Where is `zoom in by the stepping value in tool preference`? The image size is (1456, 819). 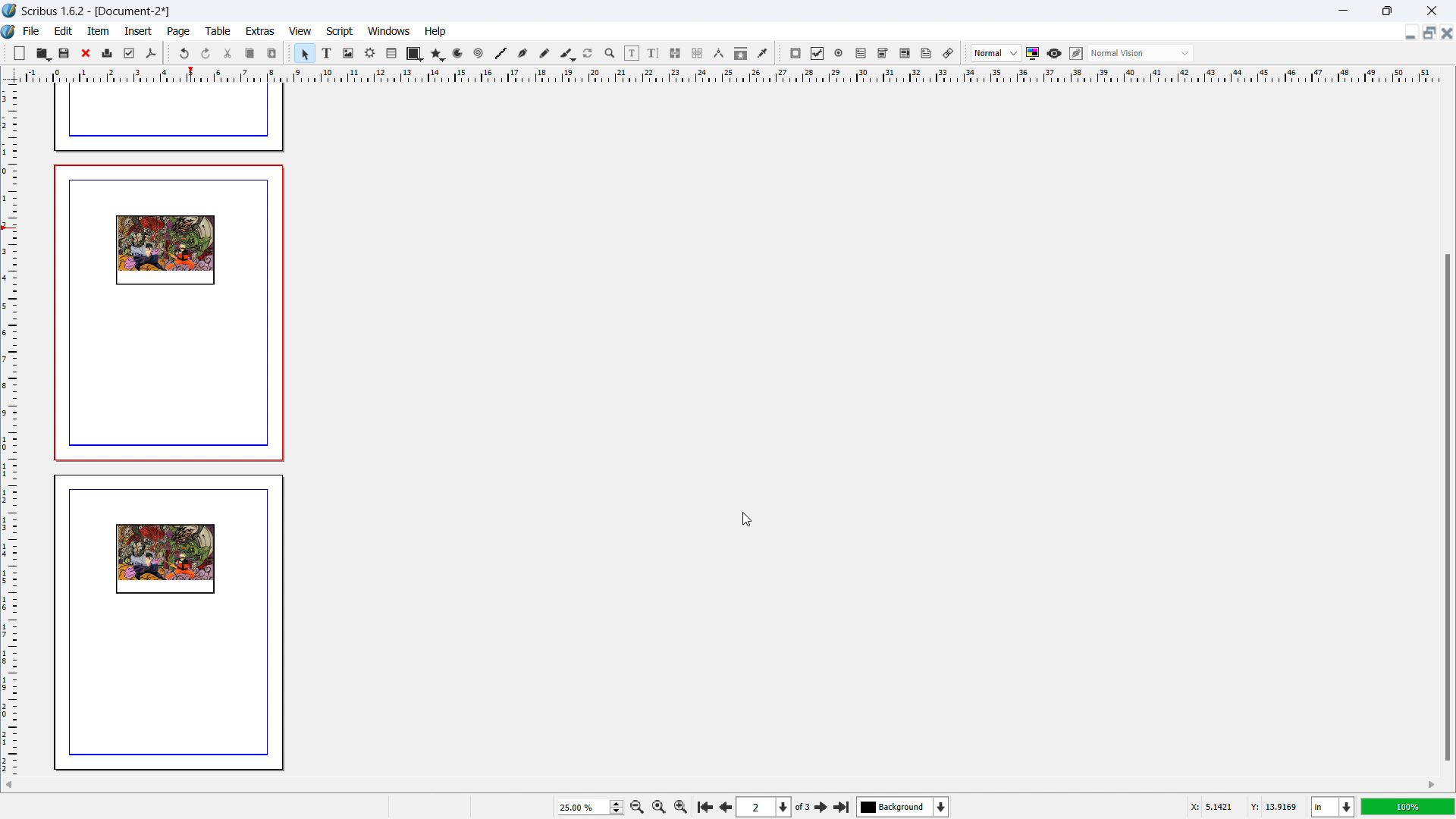 zoom in by the stepping value in tool preference is located at coordinates (681, 805).